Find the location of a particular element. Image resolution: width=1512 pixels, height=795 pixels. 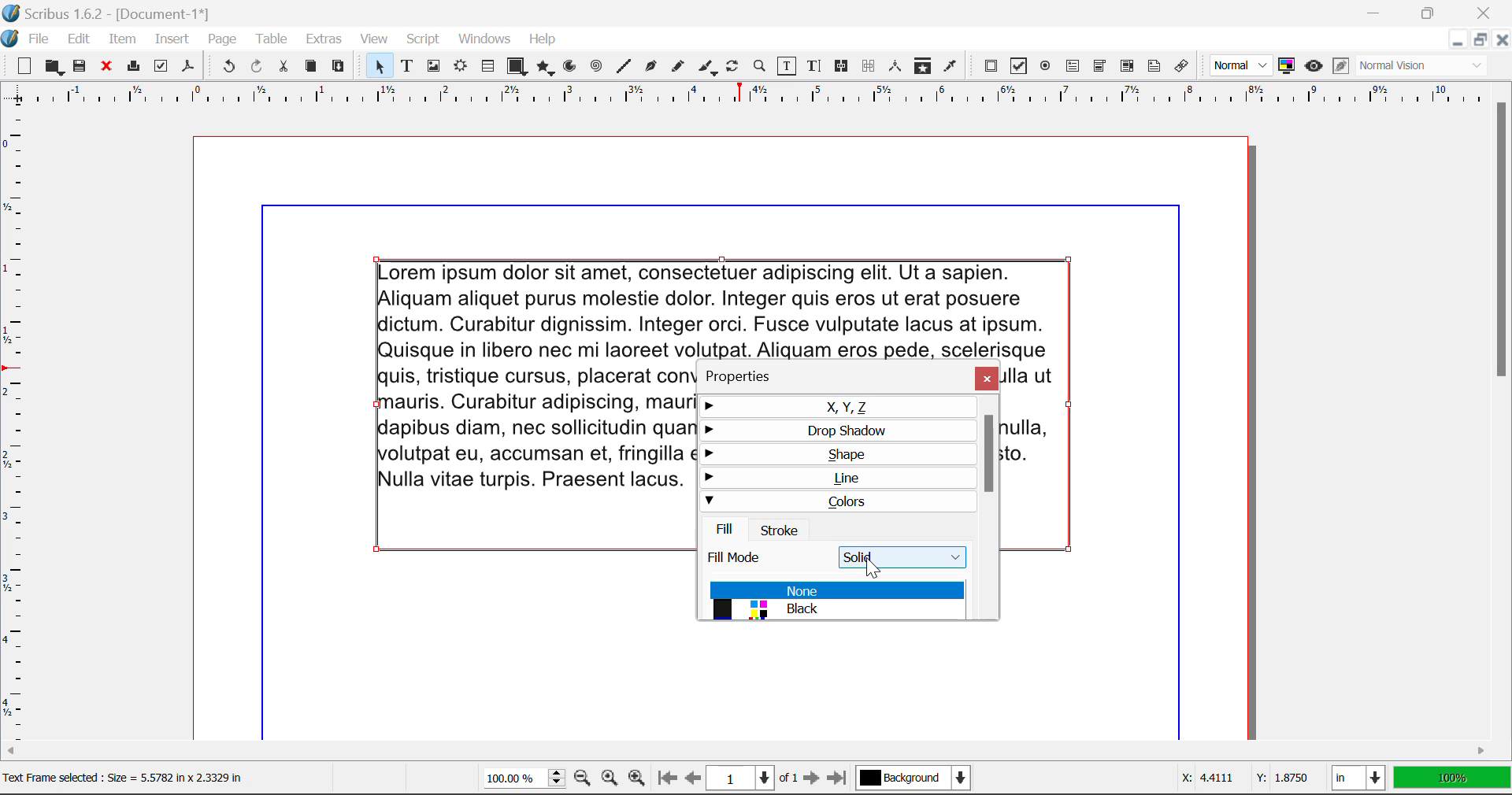

Calligraphic Line is located at coordinates (709, 69).